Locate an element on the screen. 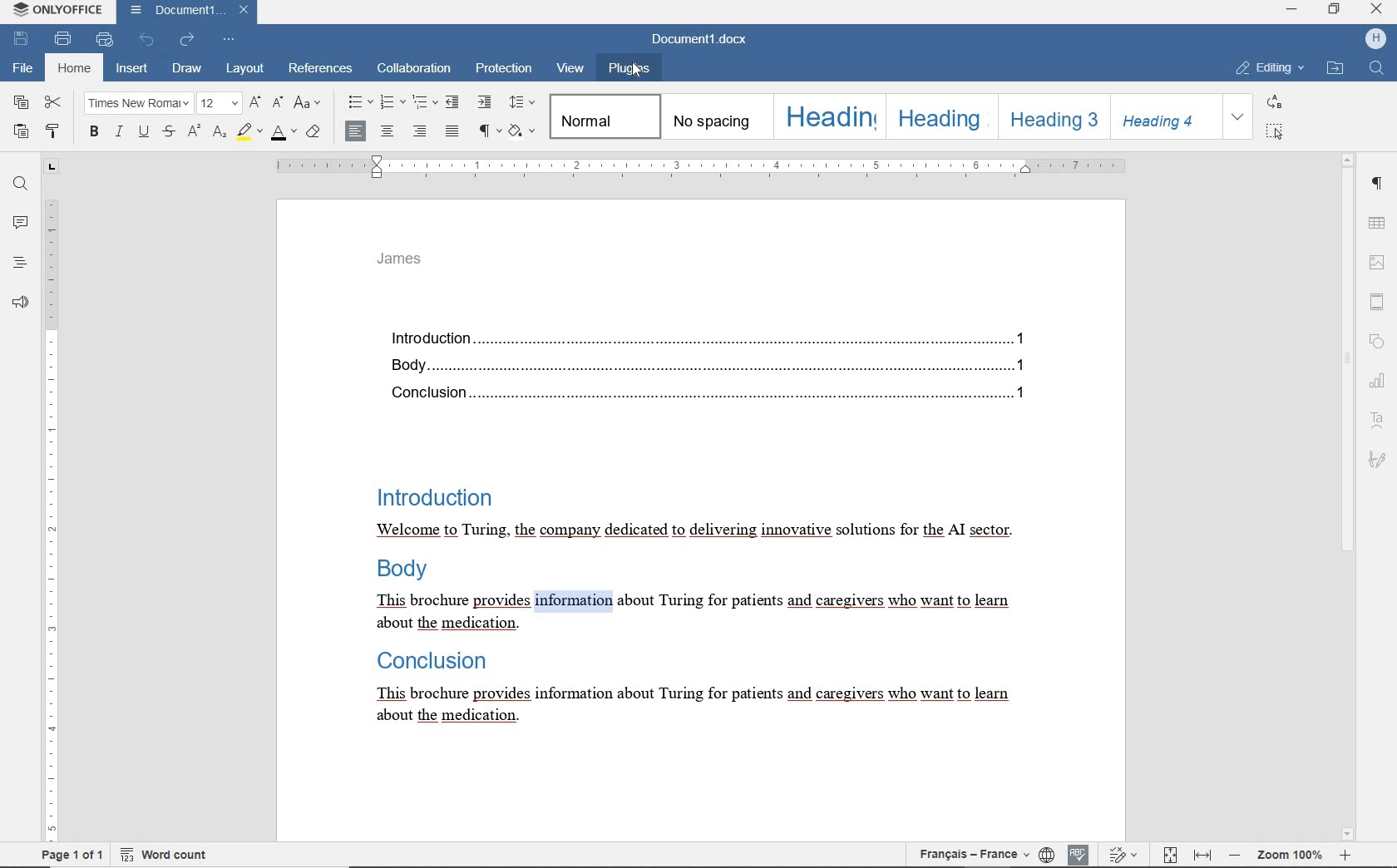 The height and width of the screenshot is (868, 1397). COPY is located at coordinates (21, 102).